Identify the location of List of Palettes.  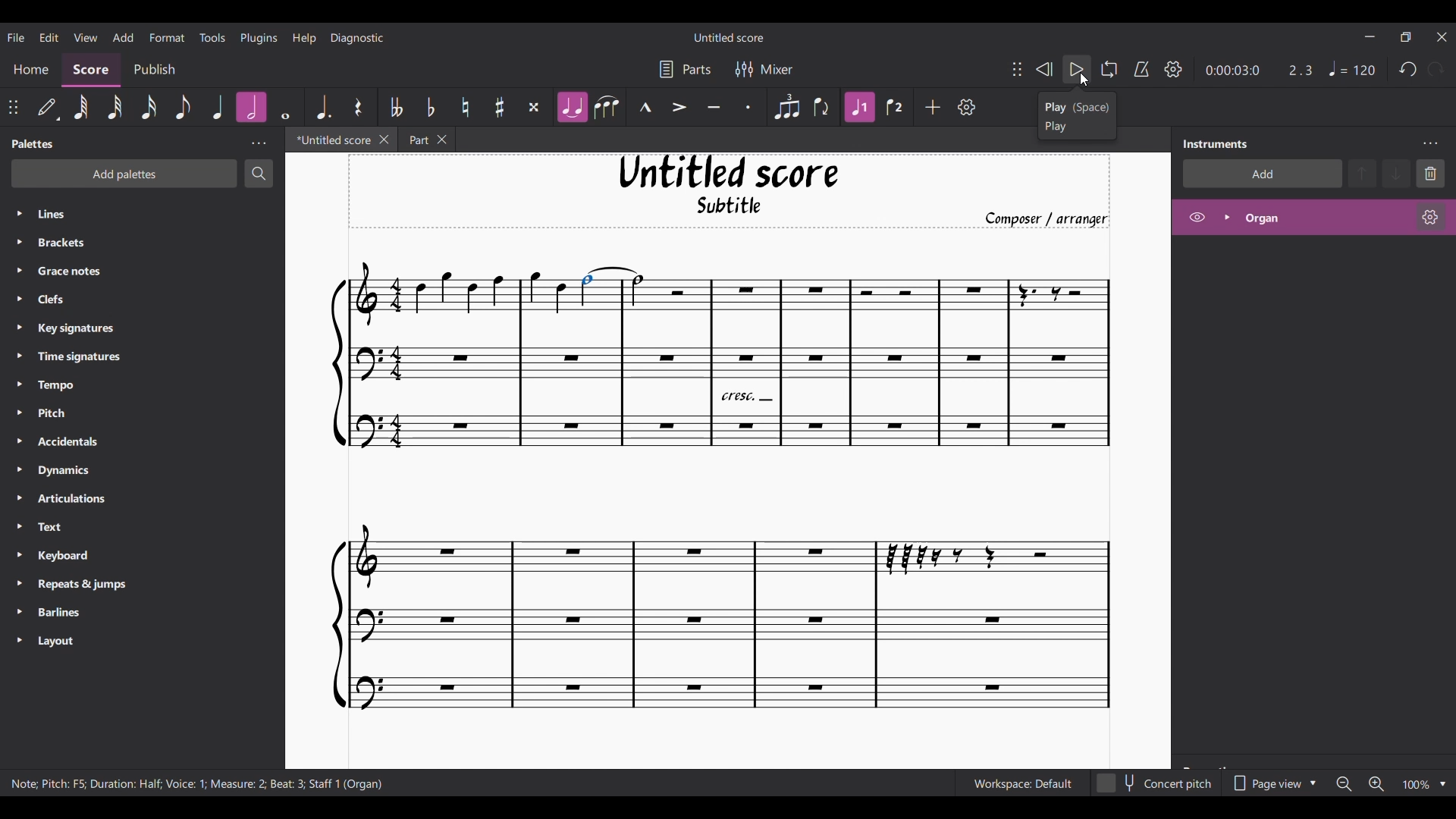
(156, 428).